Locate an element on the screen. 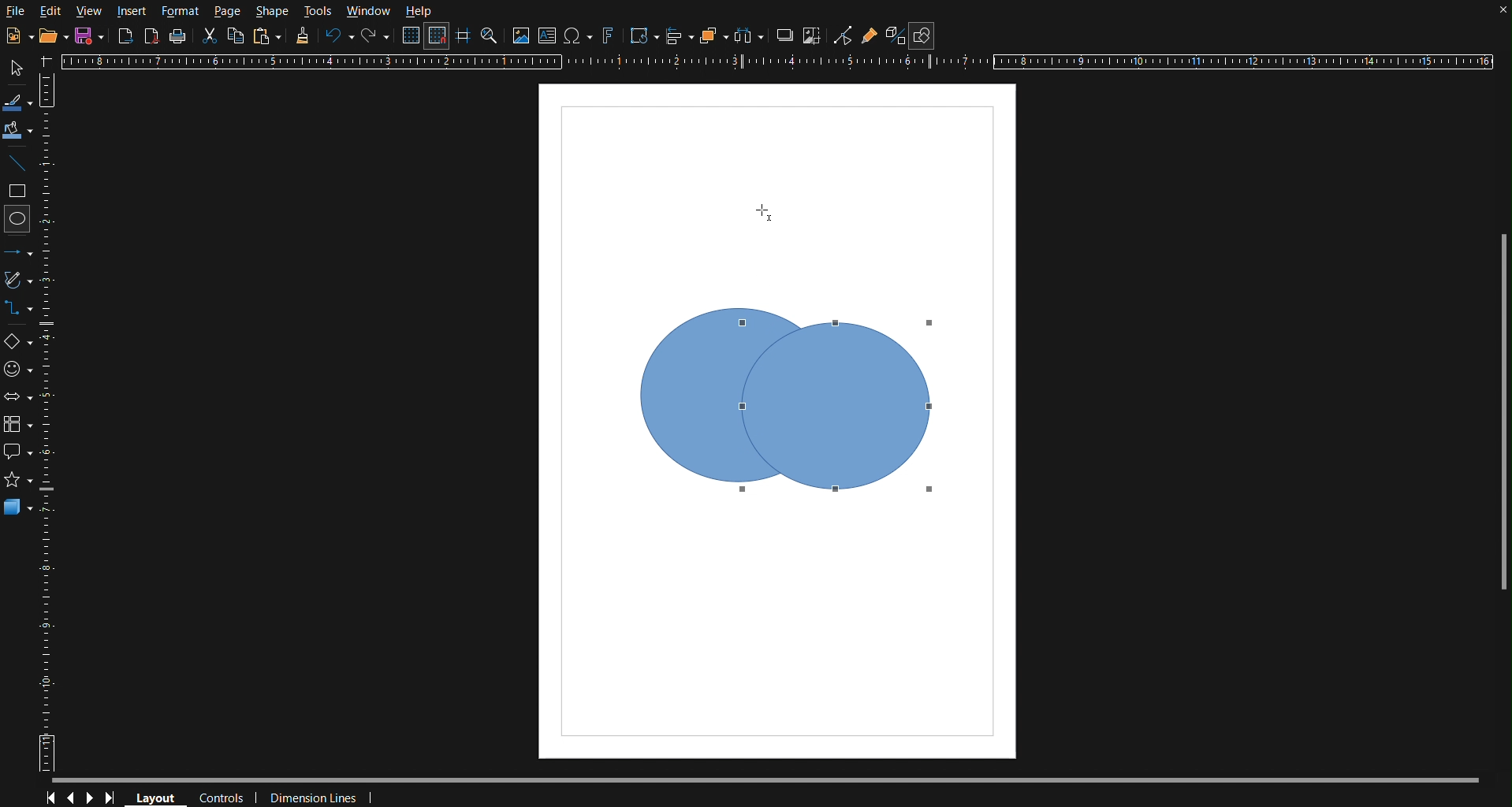 Image resolution: width=1512 pixels, height=807 pixels. Vectors is located at coordinates (19, 280).